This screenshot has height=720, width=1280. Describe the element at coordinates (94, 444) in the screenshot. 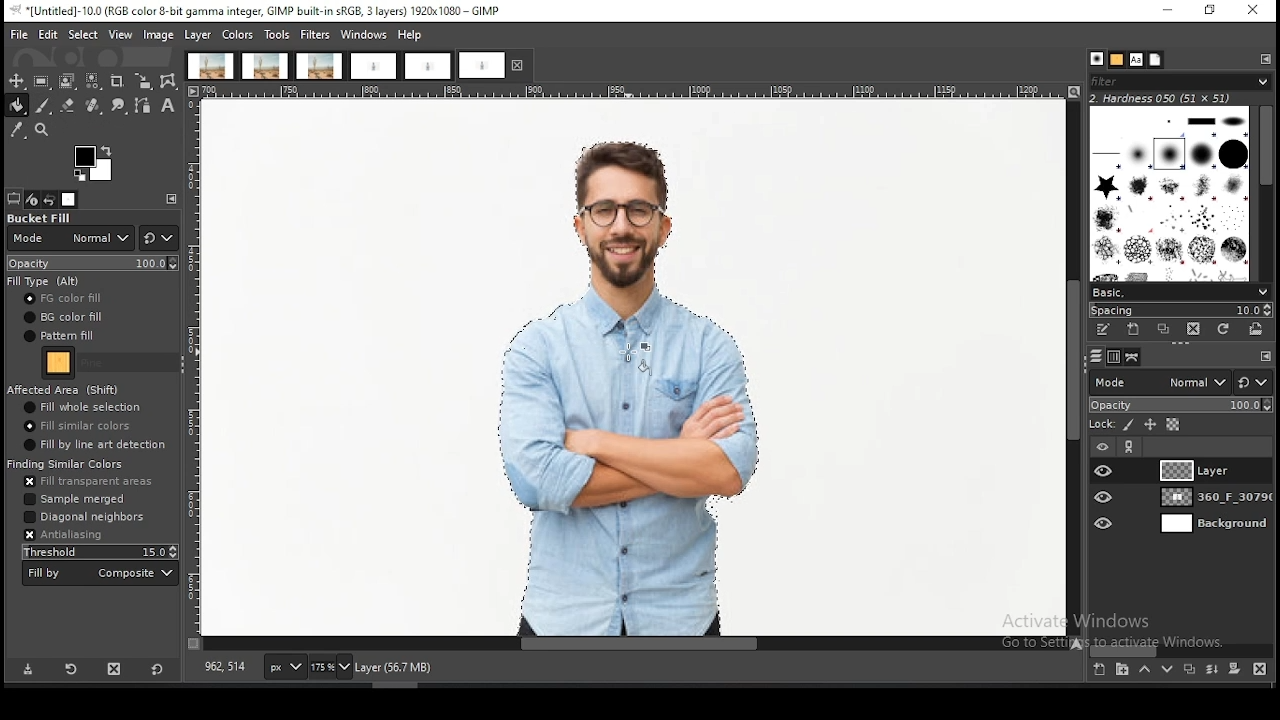

I see `fill by art detection` at that location.